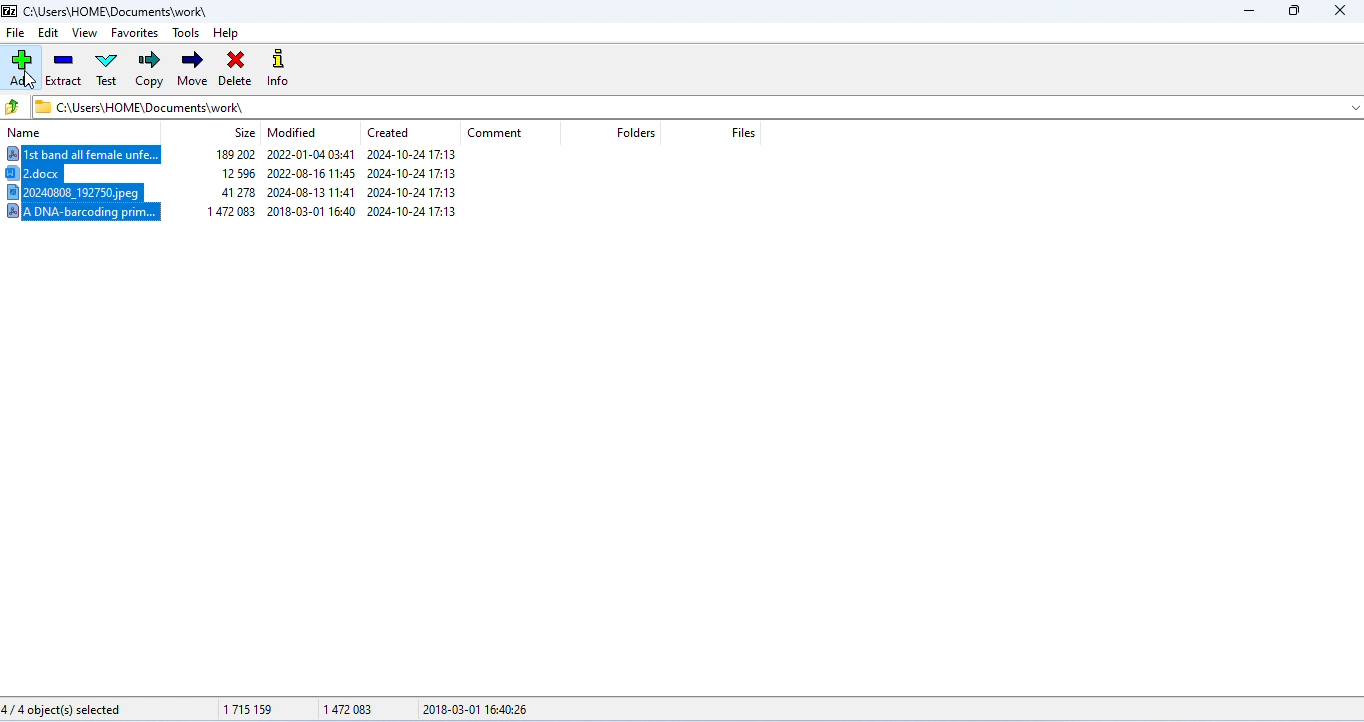  What do you see at coordinates (15, 32) in the screenshot?
I see `file` at bounding box center [15, 32].